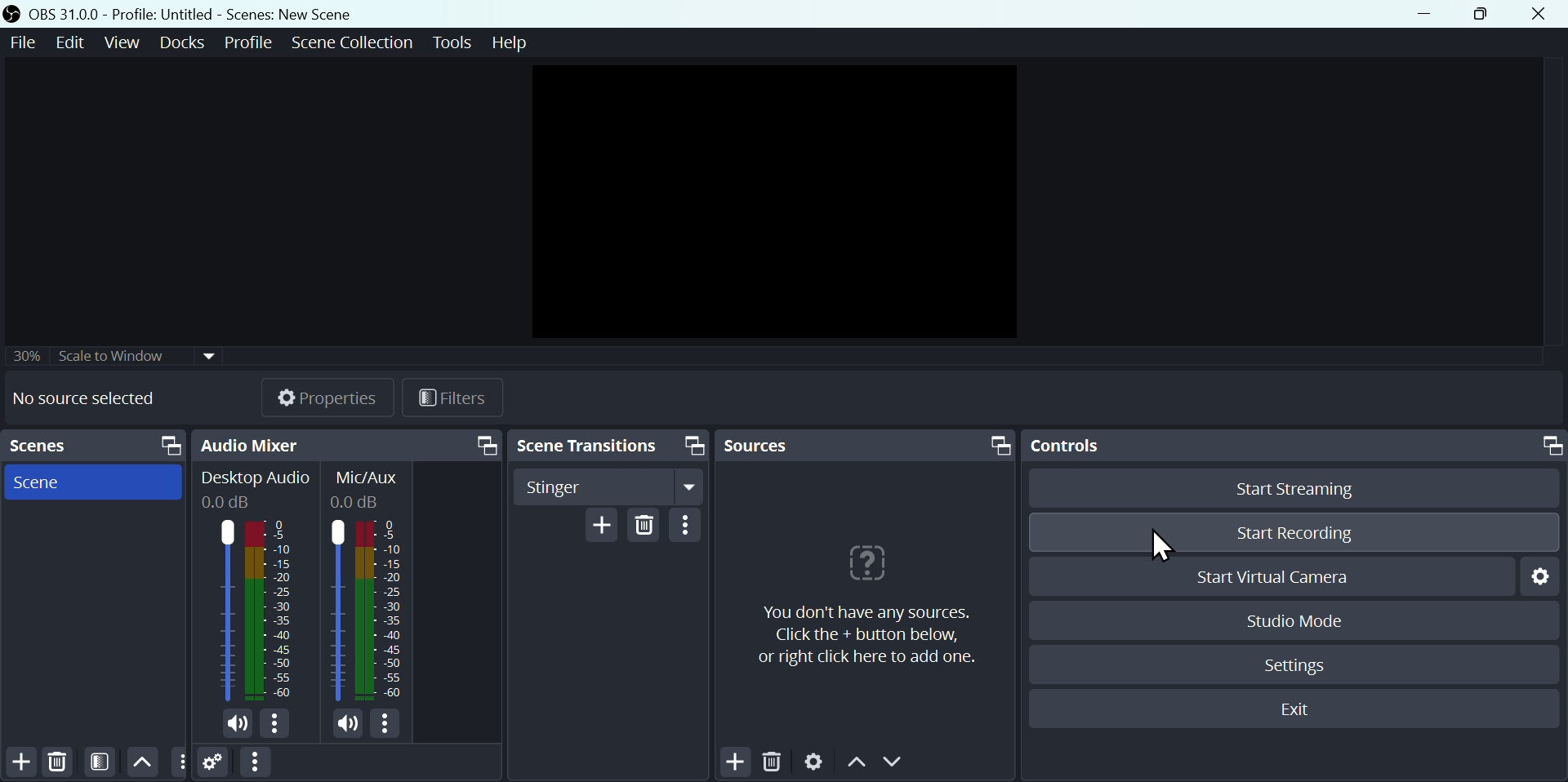 This screenshot has width=1568, height=782. Describe the element at coordinates (1290, 711) in the screenshot. I see `Exit` at that location.